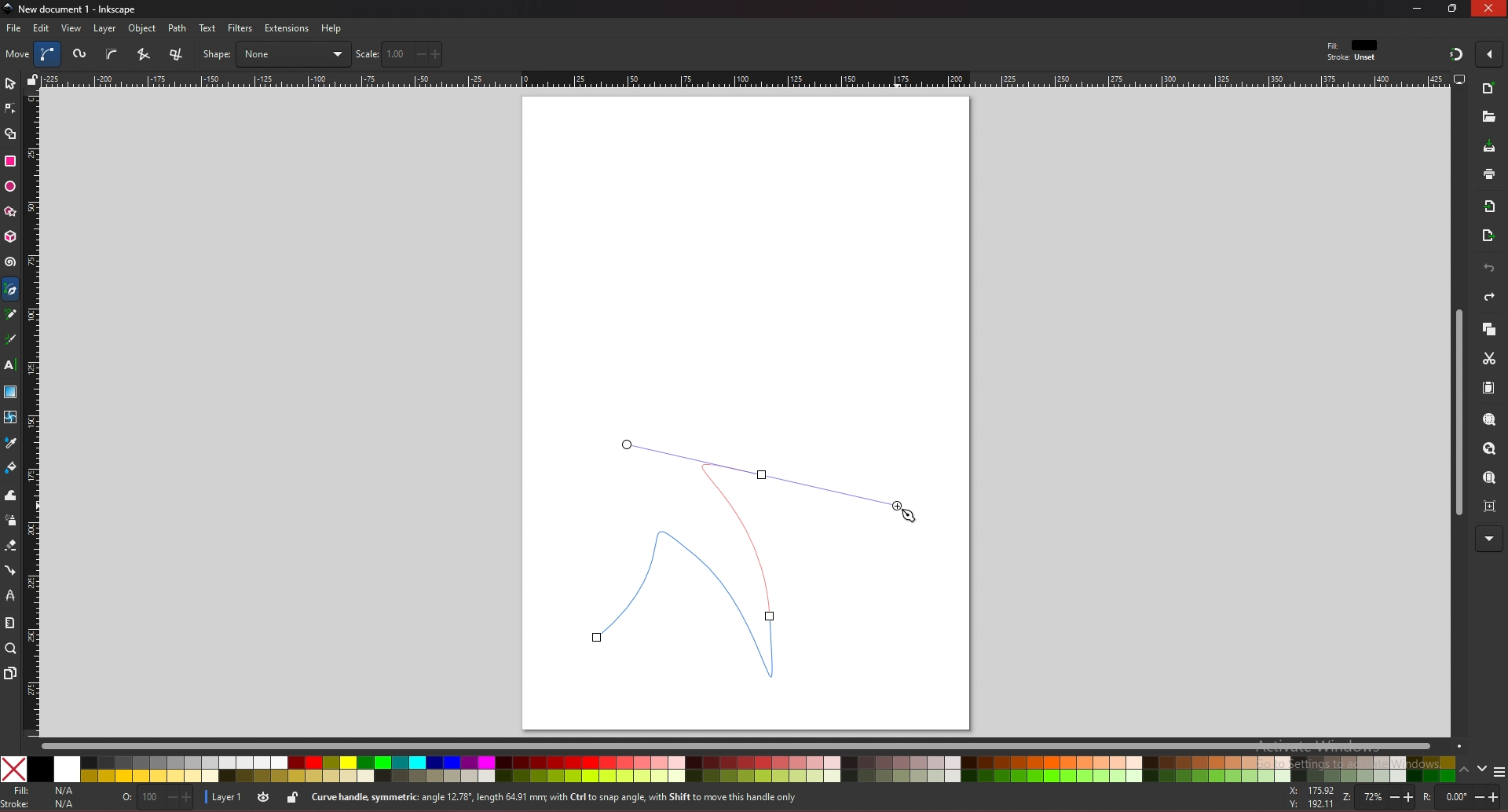  What do you see at coordinates (751, 744) in the screenshot?
I see `scroll bar` at bounding box center [751, 744].